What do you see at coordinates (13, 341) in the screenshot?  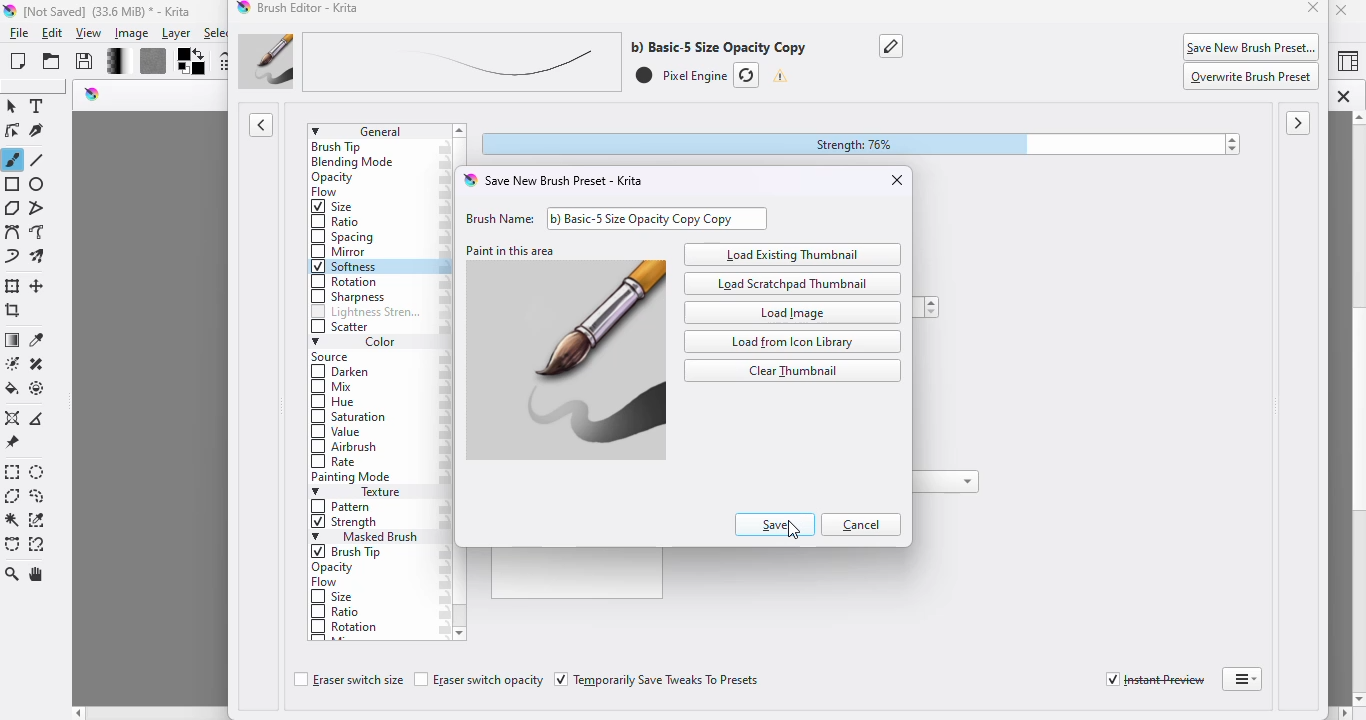 I see `draw a gradient` at bounding box center [13, 341].